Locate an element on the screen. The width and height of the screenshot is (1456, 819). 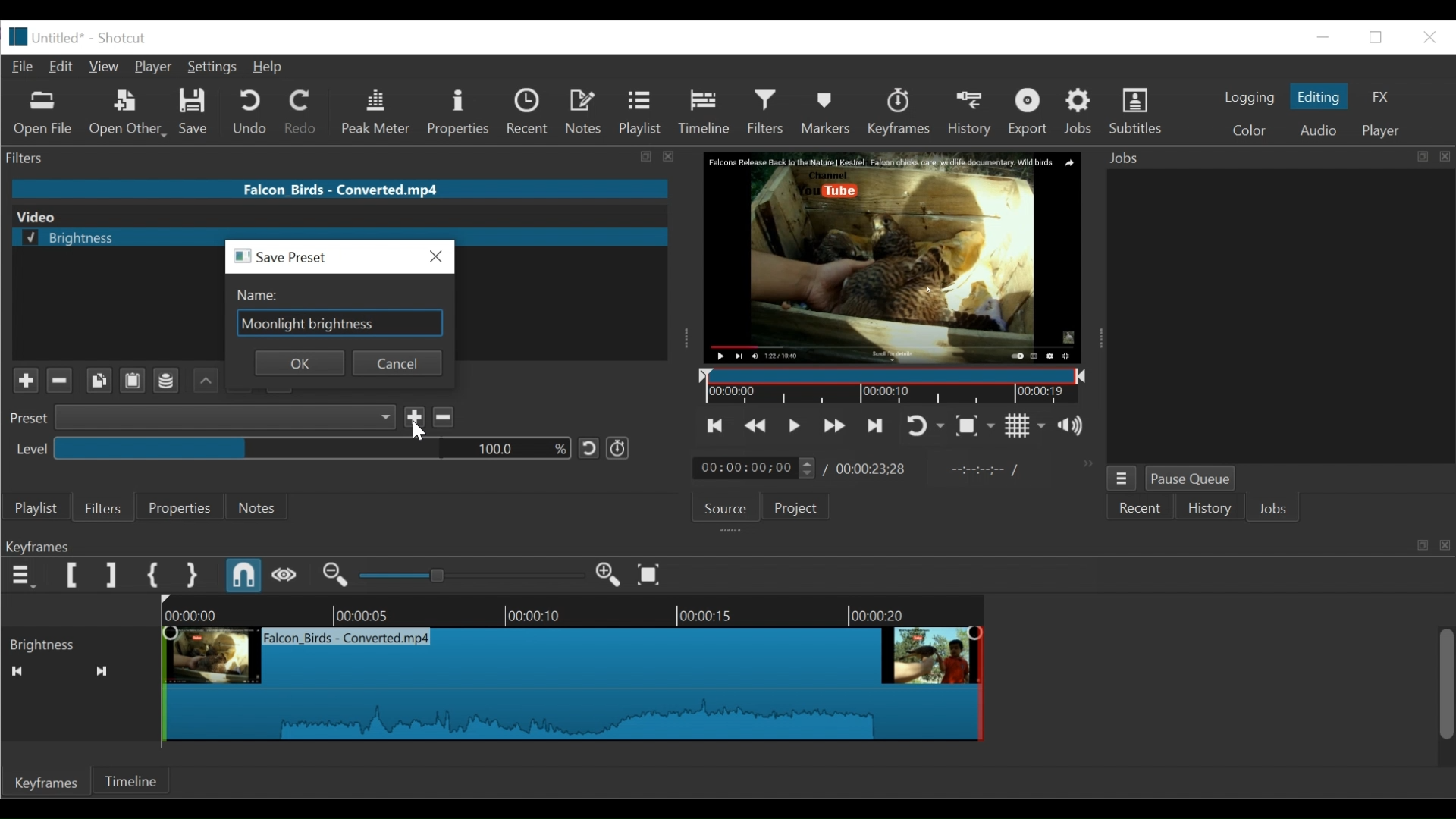
Recent is located at coordinates (1141, 507).